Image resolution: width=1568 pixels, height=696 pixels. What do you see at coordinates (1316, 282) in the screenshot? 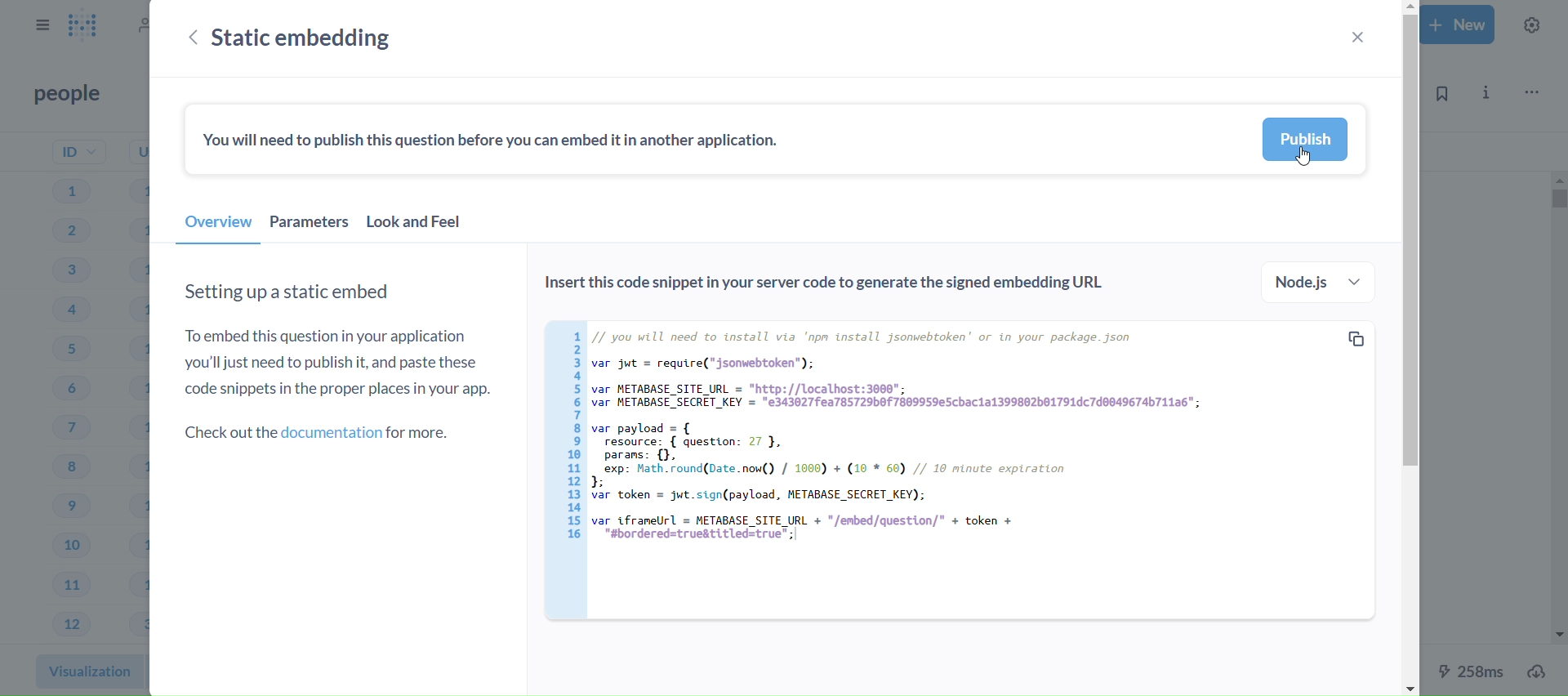
I see `node.js` at bounding box center [1316, 282].